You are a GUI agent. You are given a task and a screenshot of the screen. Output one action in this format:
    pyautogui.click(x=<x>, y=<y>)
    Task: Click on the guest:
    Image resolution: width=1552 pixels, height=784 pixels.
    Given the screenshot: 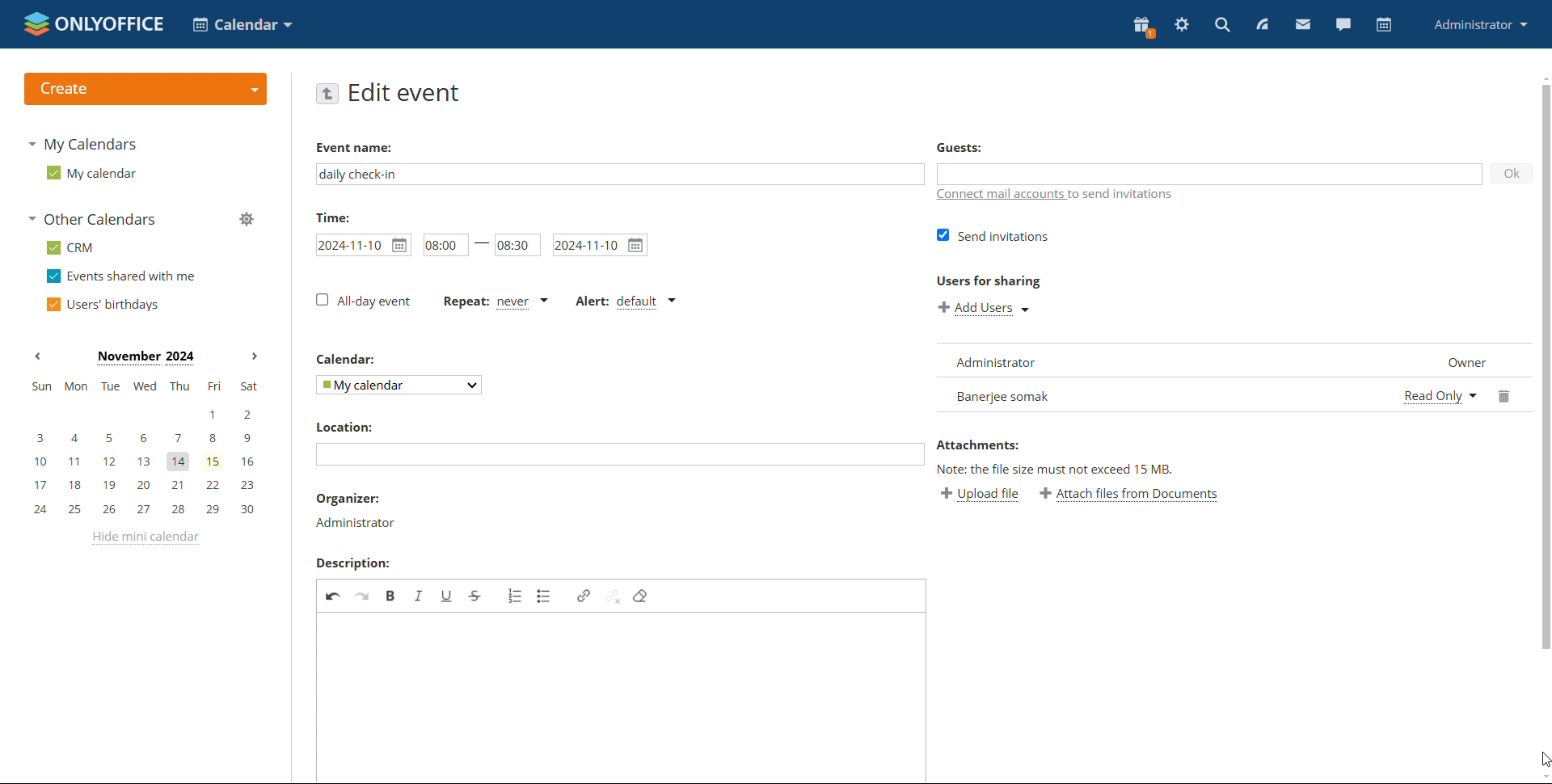 What is the action you would take?
    pyautogui.click(x=992, y=150)
    